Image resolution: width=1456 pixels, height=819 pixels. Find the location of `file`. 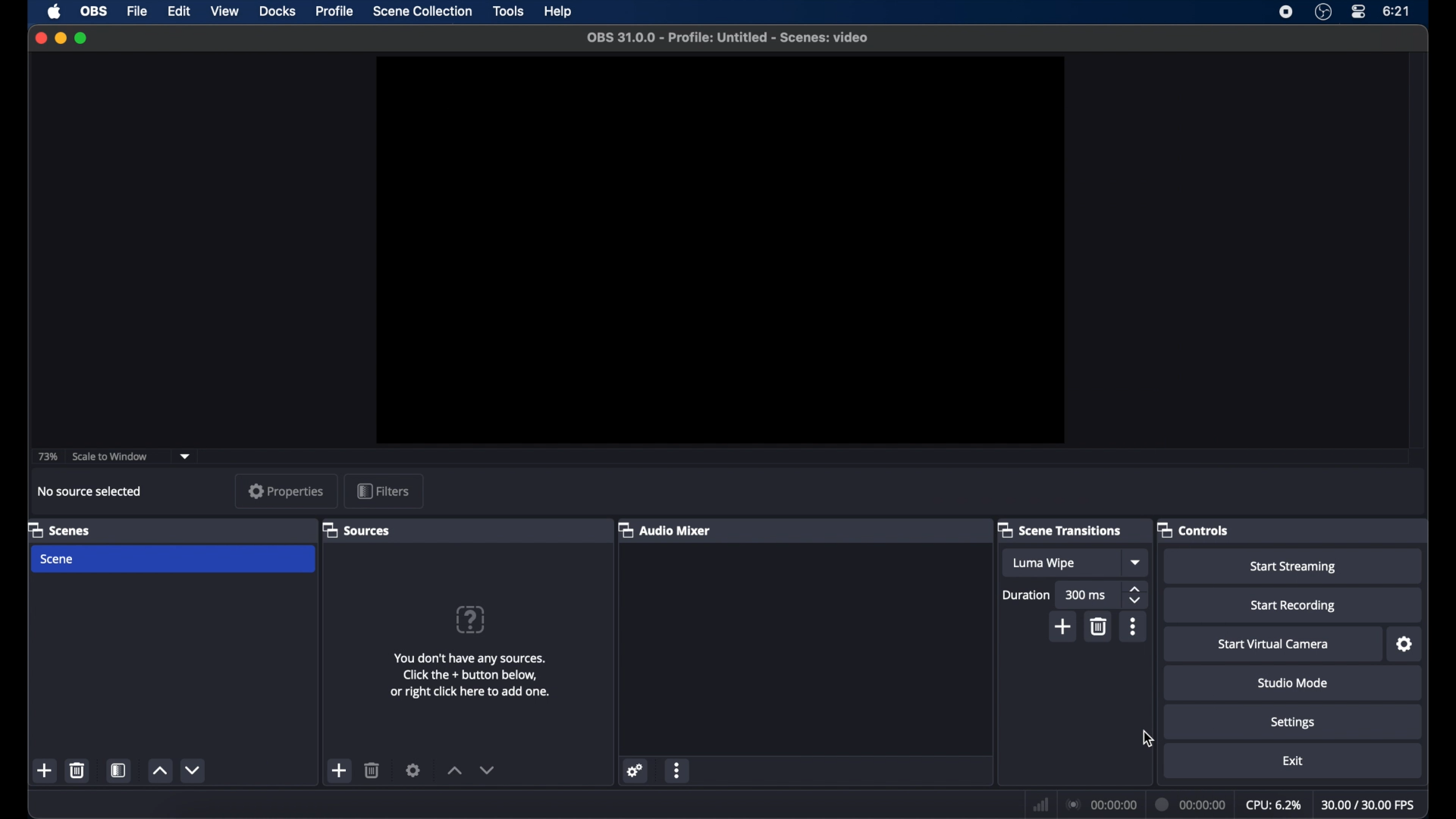

file is located at coordinates (137, 11).